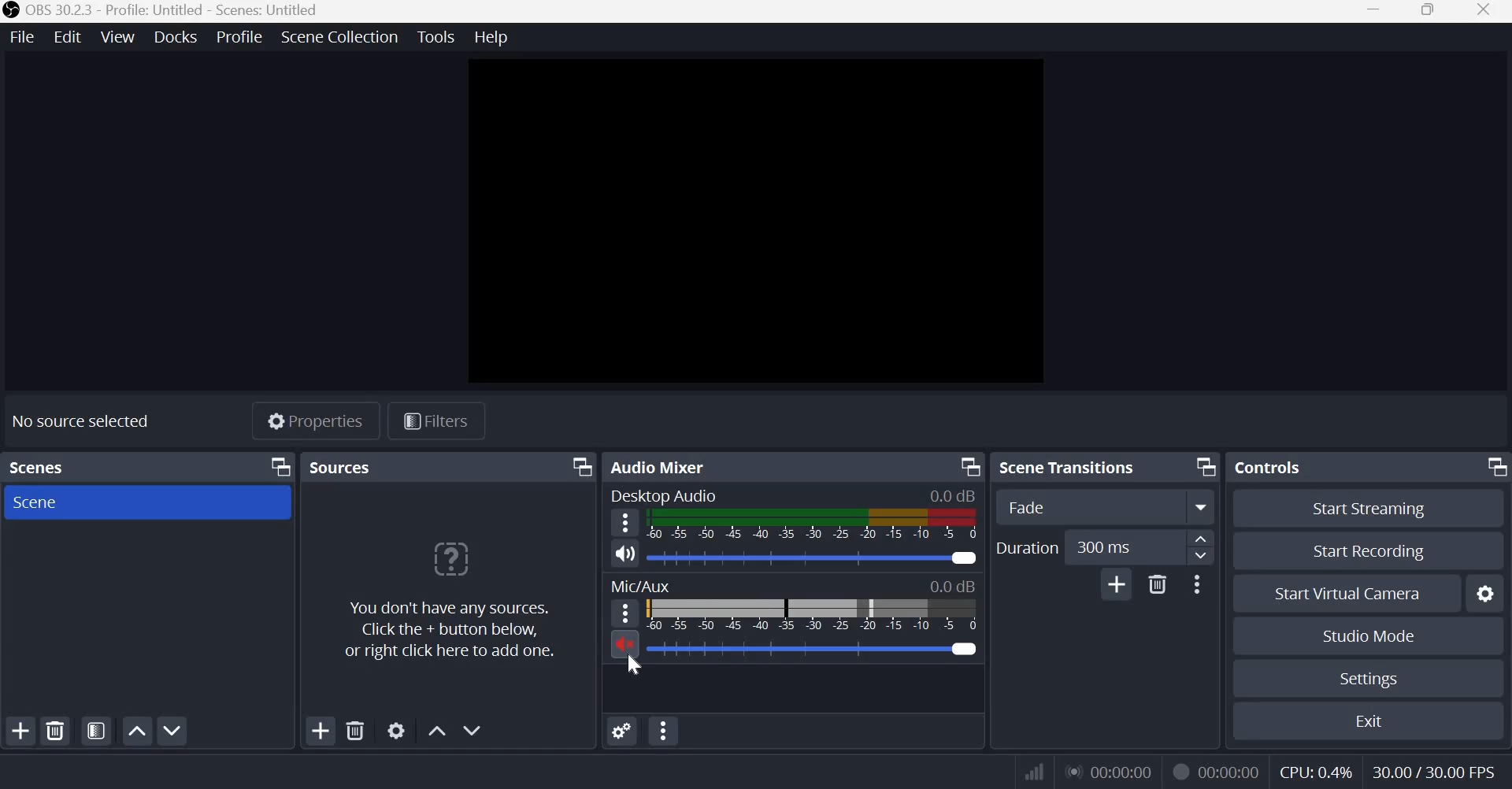 The image size is (1512, 789). What do you see at coordinates (399, 730) in the screenshot?
I see `Open source properties` at bounding box center [399, 730].